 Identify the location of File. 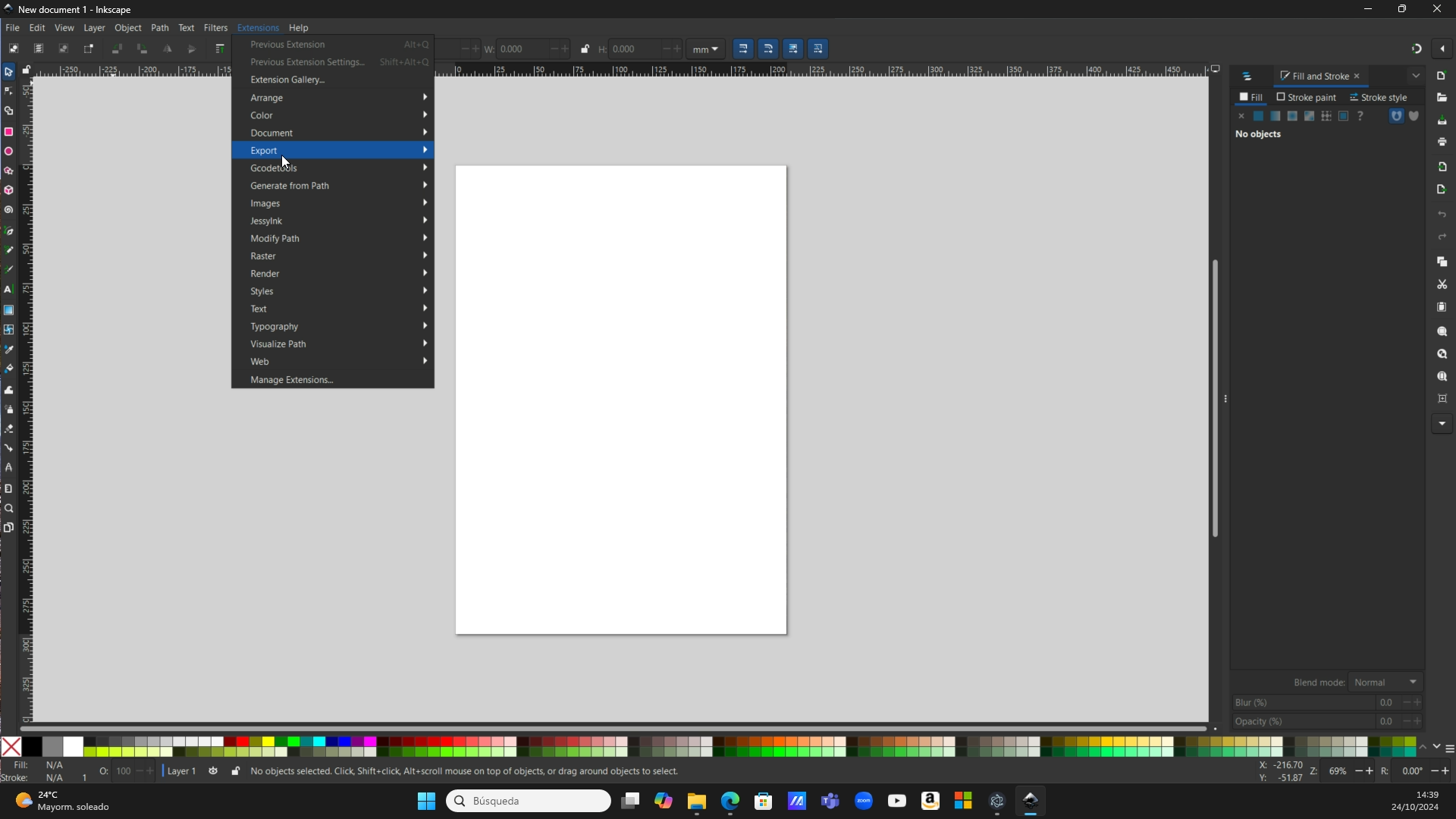
(619, 403).